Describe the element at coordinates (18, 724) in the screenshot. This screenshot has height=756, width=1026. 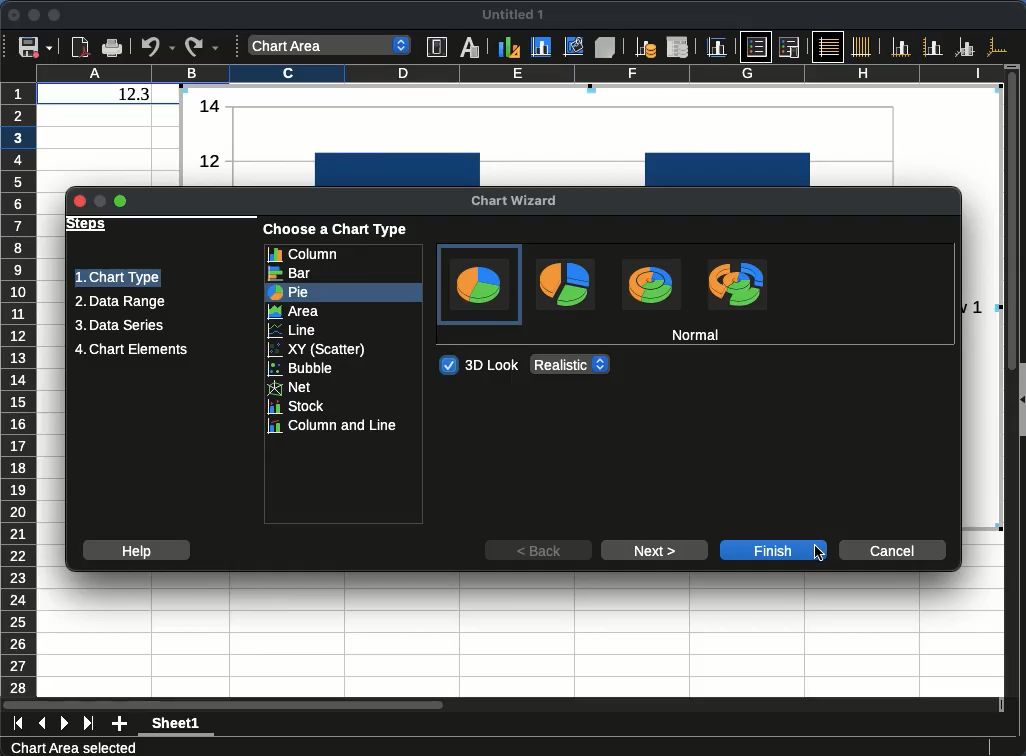
I see `first sheet` at that location.